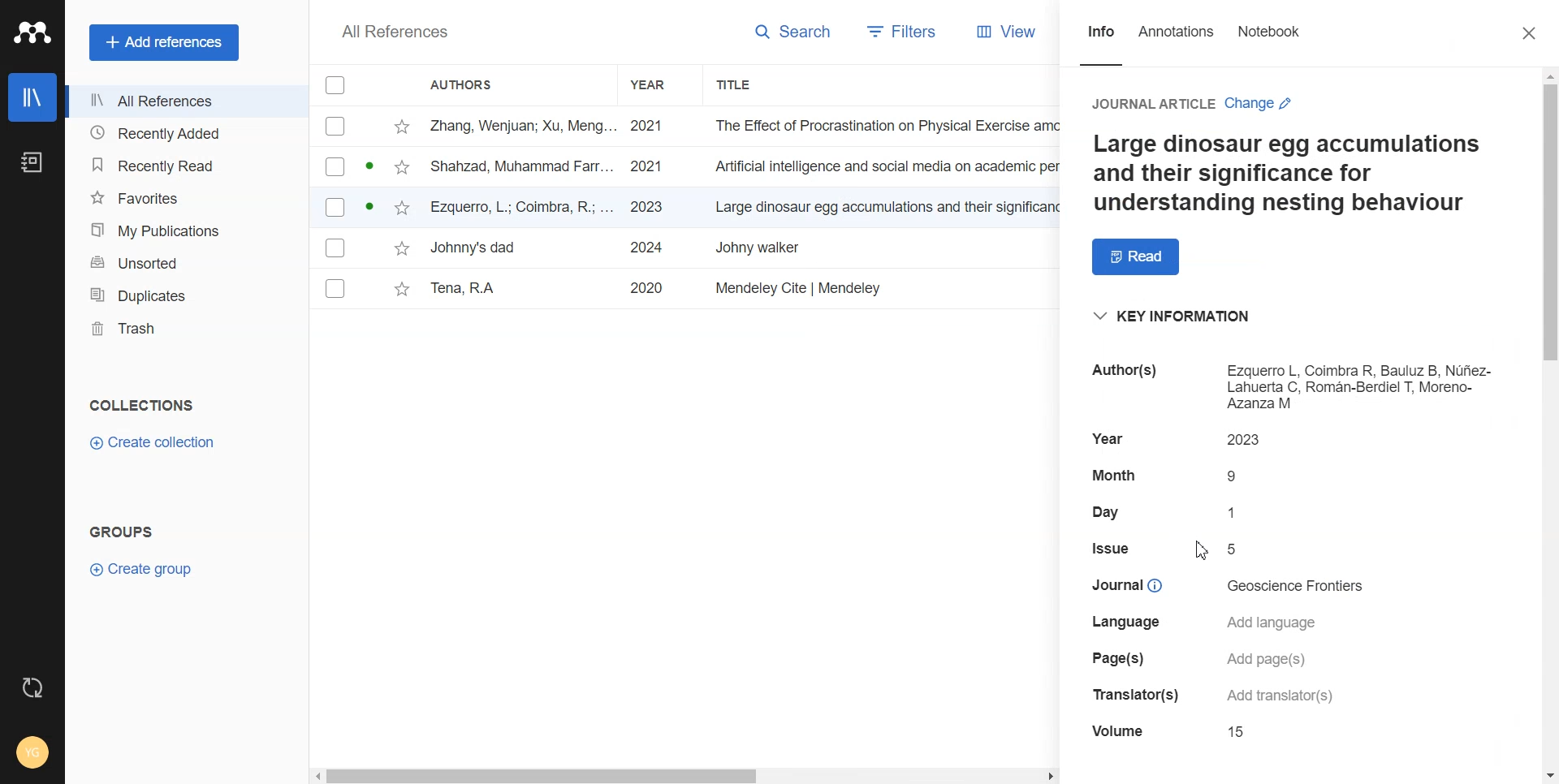  I want to click on Search , so click(792, 31).